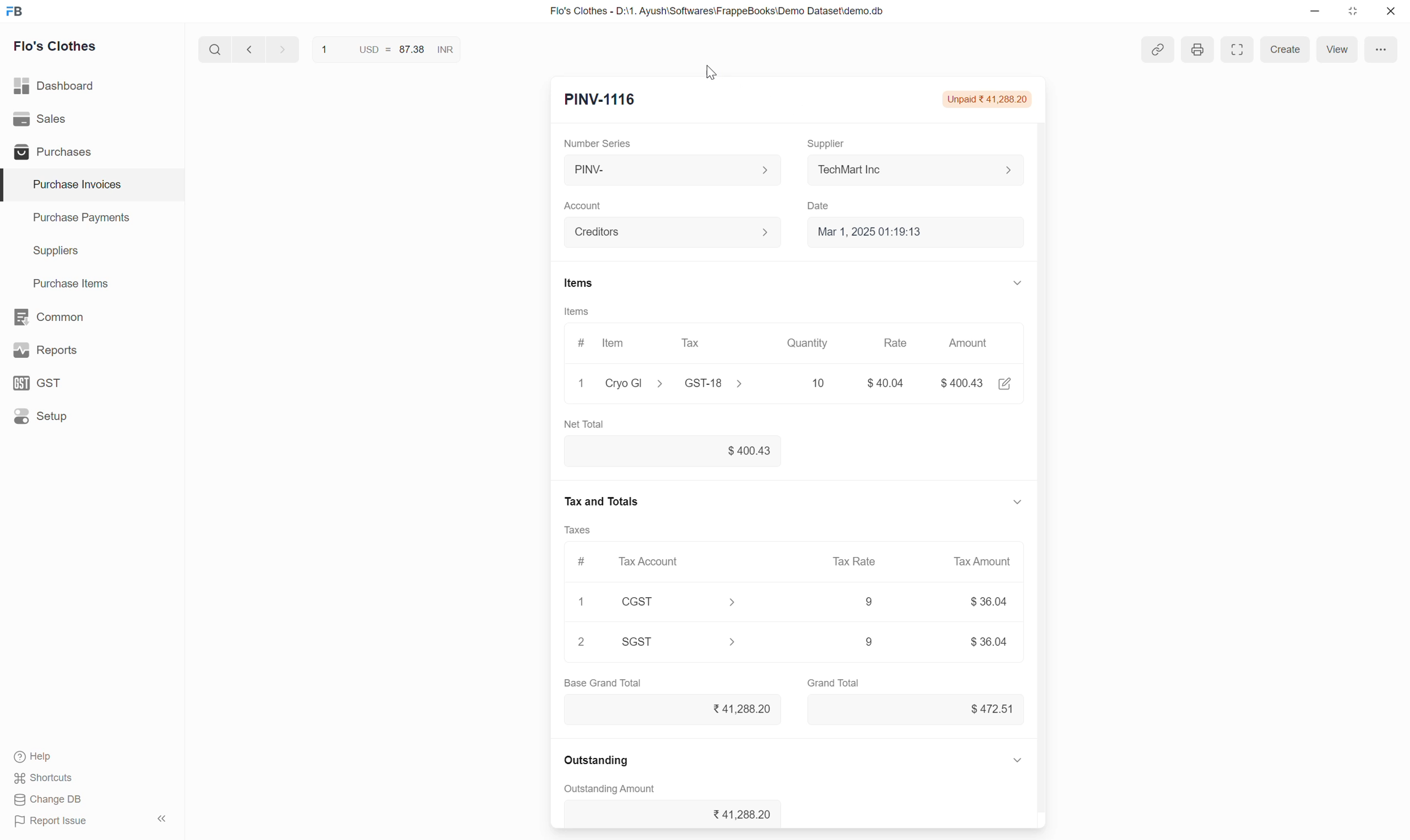 The height and width of the screenshot is (840, 1410). Describe the element at coordinates (65, 281) in the screenshot. I see `Purchase Items` at that location.